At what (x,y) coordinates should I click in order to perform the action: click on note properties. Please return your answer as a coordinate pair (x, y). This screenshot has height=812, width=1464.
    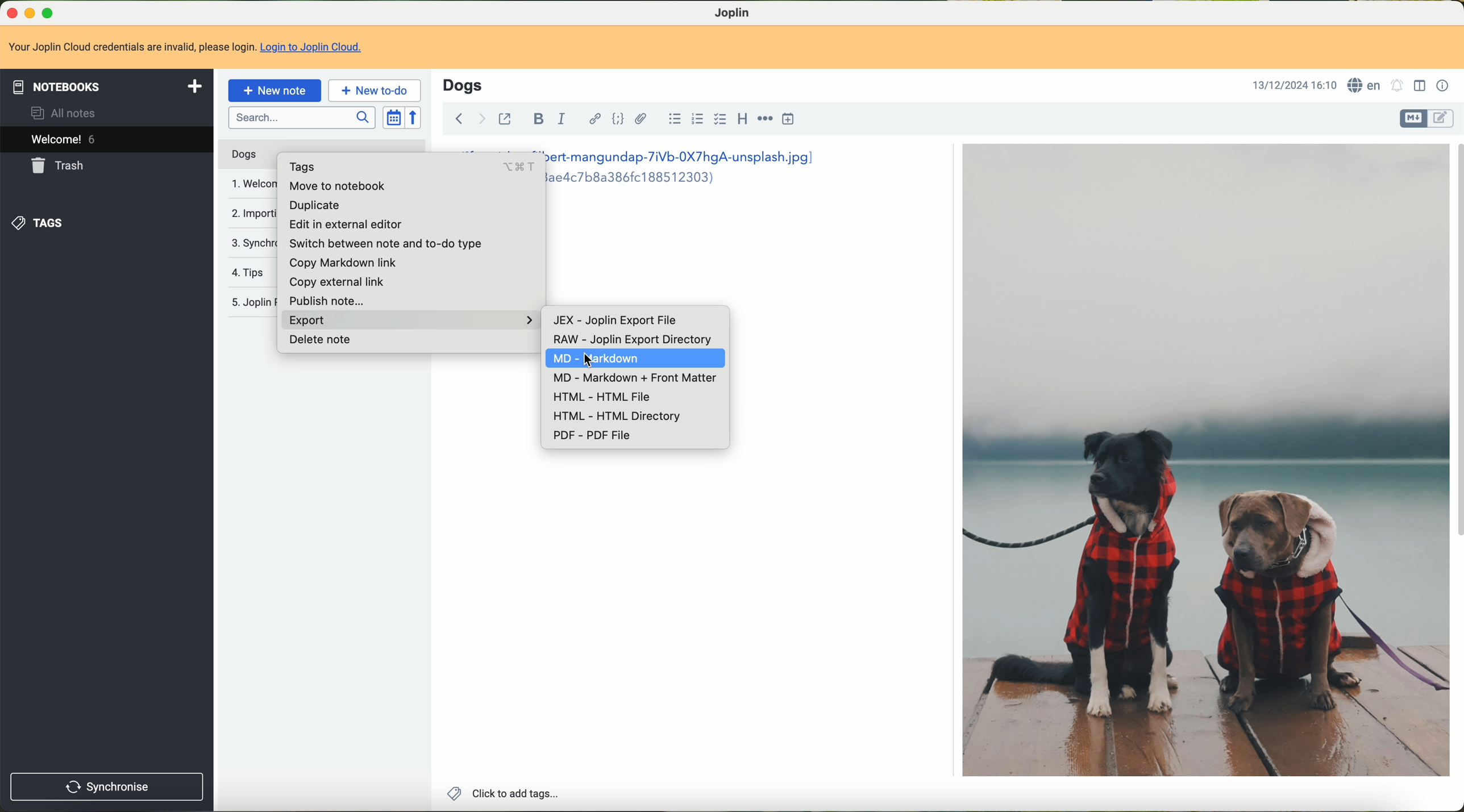
    Looking at the image, I should click on (1442, 85).